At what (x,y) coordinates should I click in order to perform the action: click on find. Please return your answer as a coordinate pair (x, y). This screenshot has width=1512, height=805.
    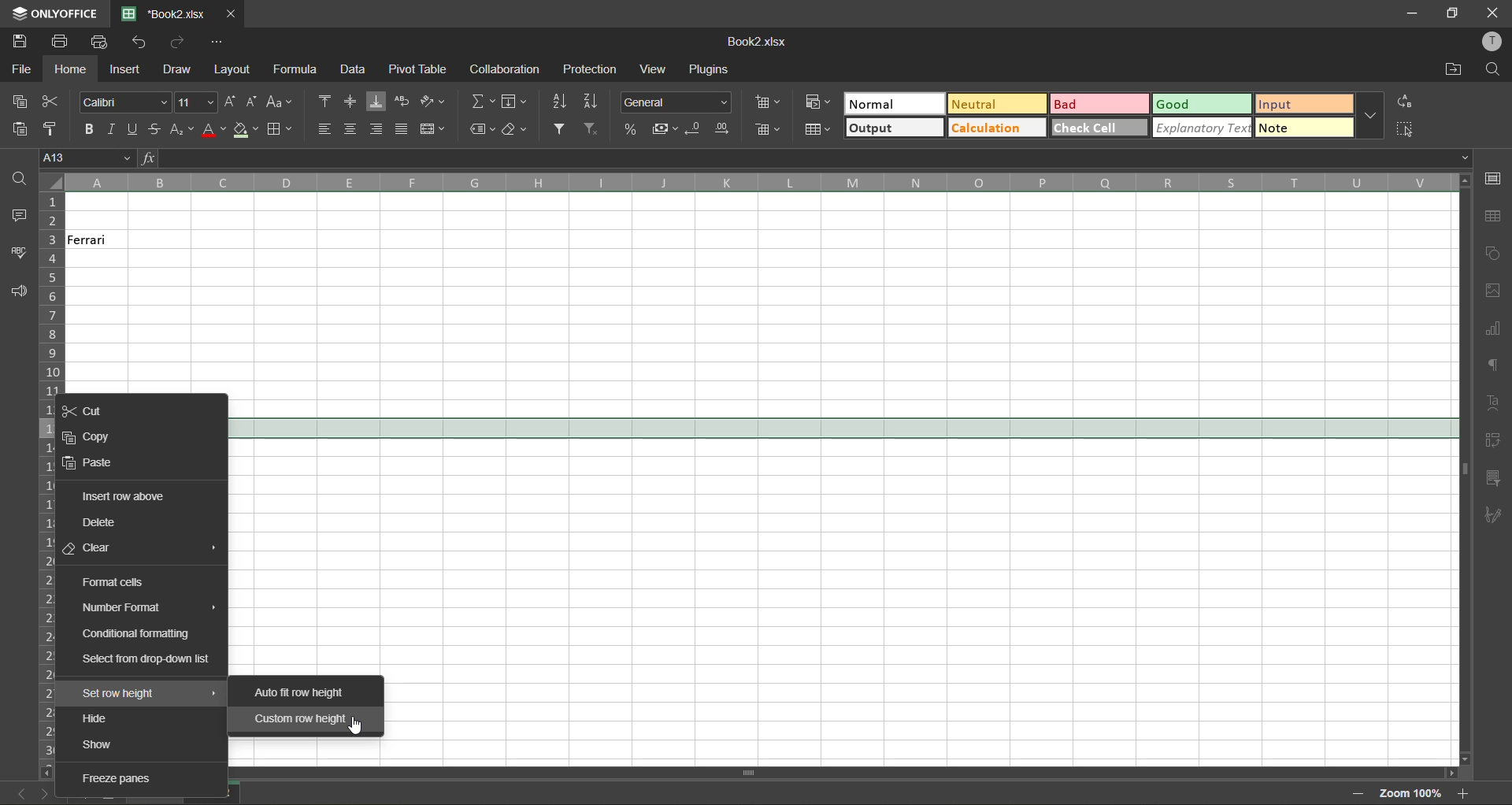
    Looking at the image, I should click on (14, 178).